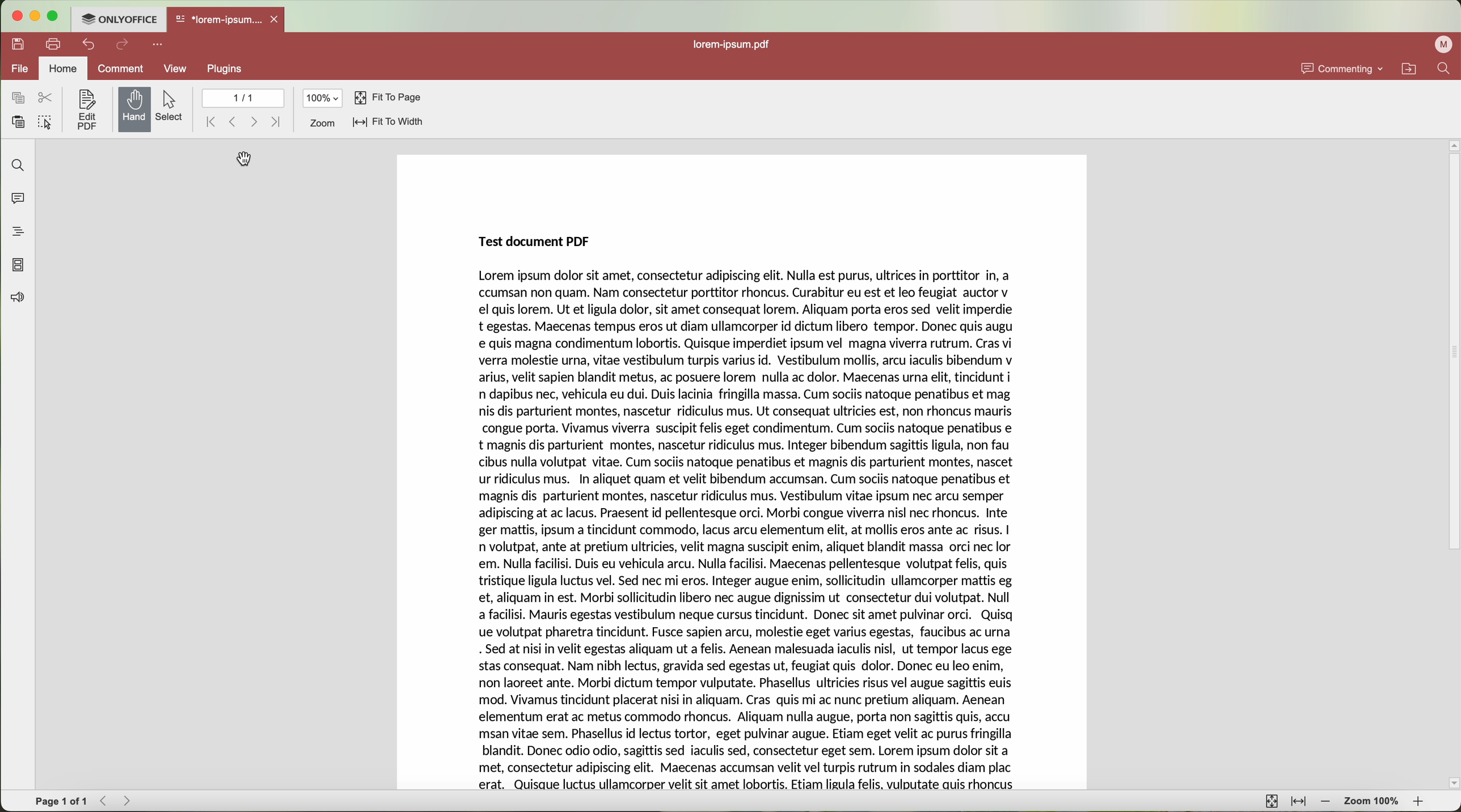  What do you see at coordinates (1272, 801) in the screenshot?
I see `fit to page` at bounding box center [1272, 801].